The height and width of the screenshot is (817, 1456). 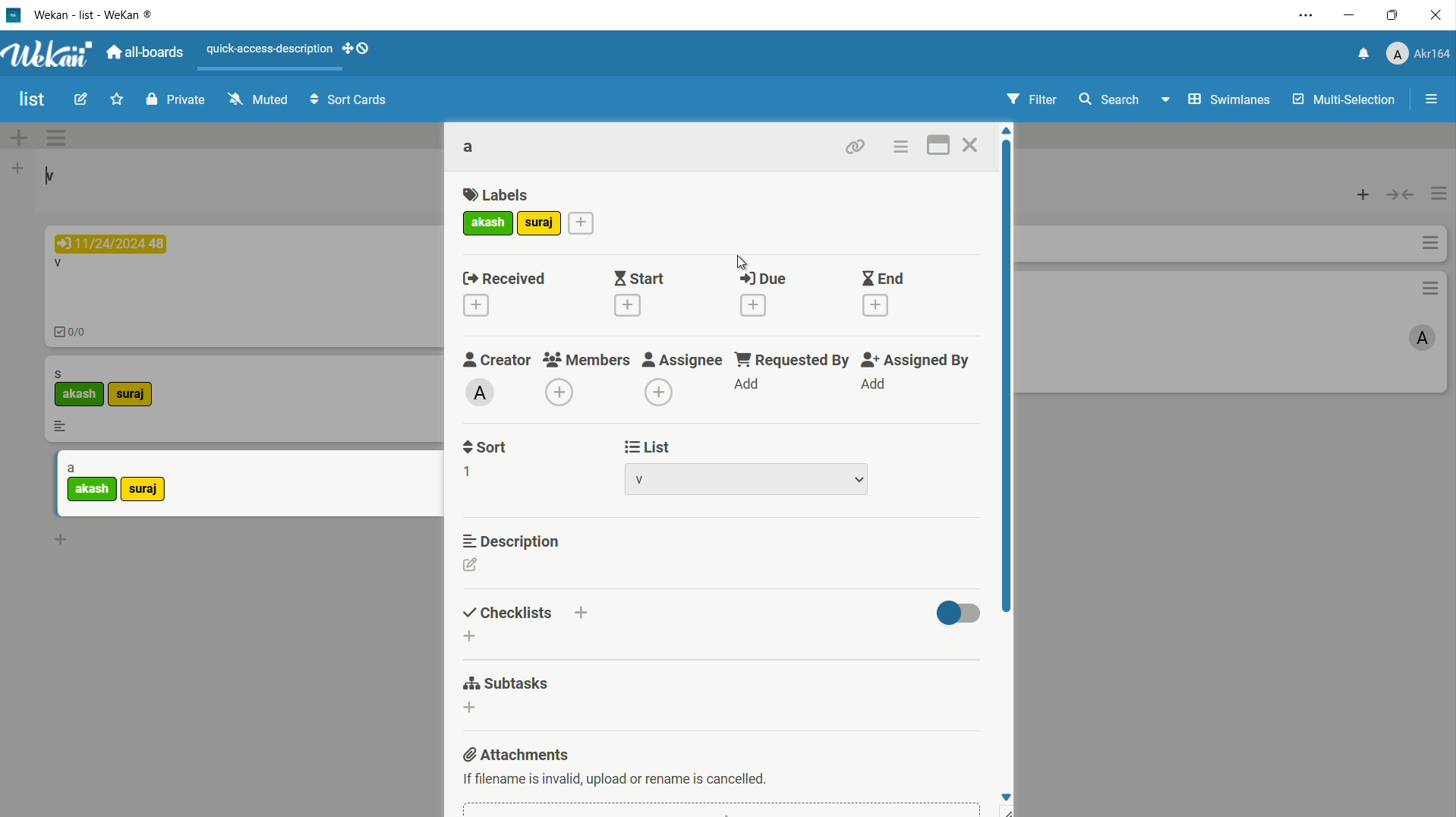 I want to click on maximize, so click(x=1395, y=18).